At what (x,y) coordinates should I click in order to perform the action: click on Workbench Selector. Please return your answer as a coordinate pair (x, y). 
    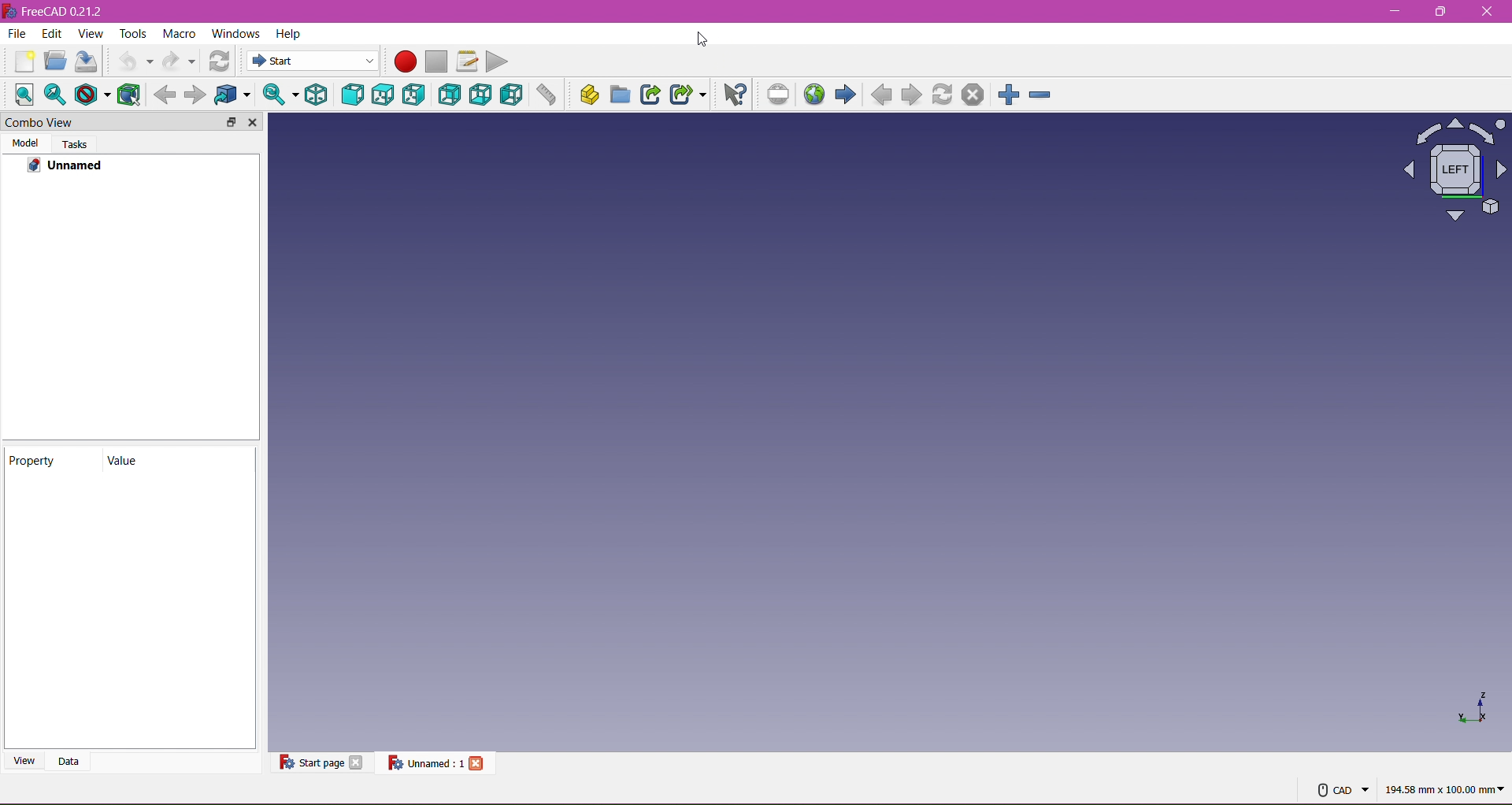
    Looking at the image, I should click on (217, 61).